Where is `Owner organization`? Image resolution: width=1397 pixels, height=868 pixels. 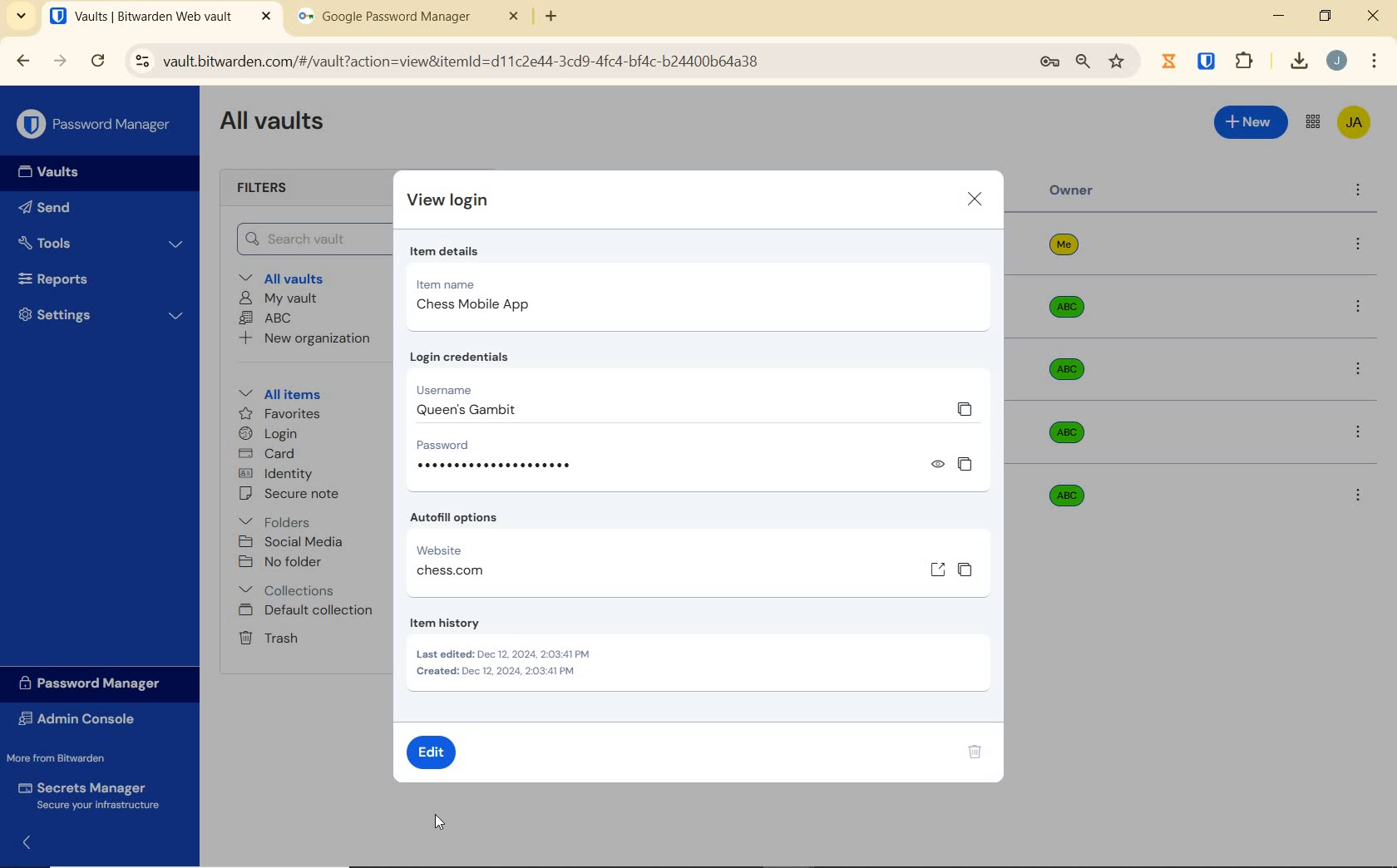
Owner organization is located at coordinates (1067, 369).